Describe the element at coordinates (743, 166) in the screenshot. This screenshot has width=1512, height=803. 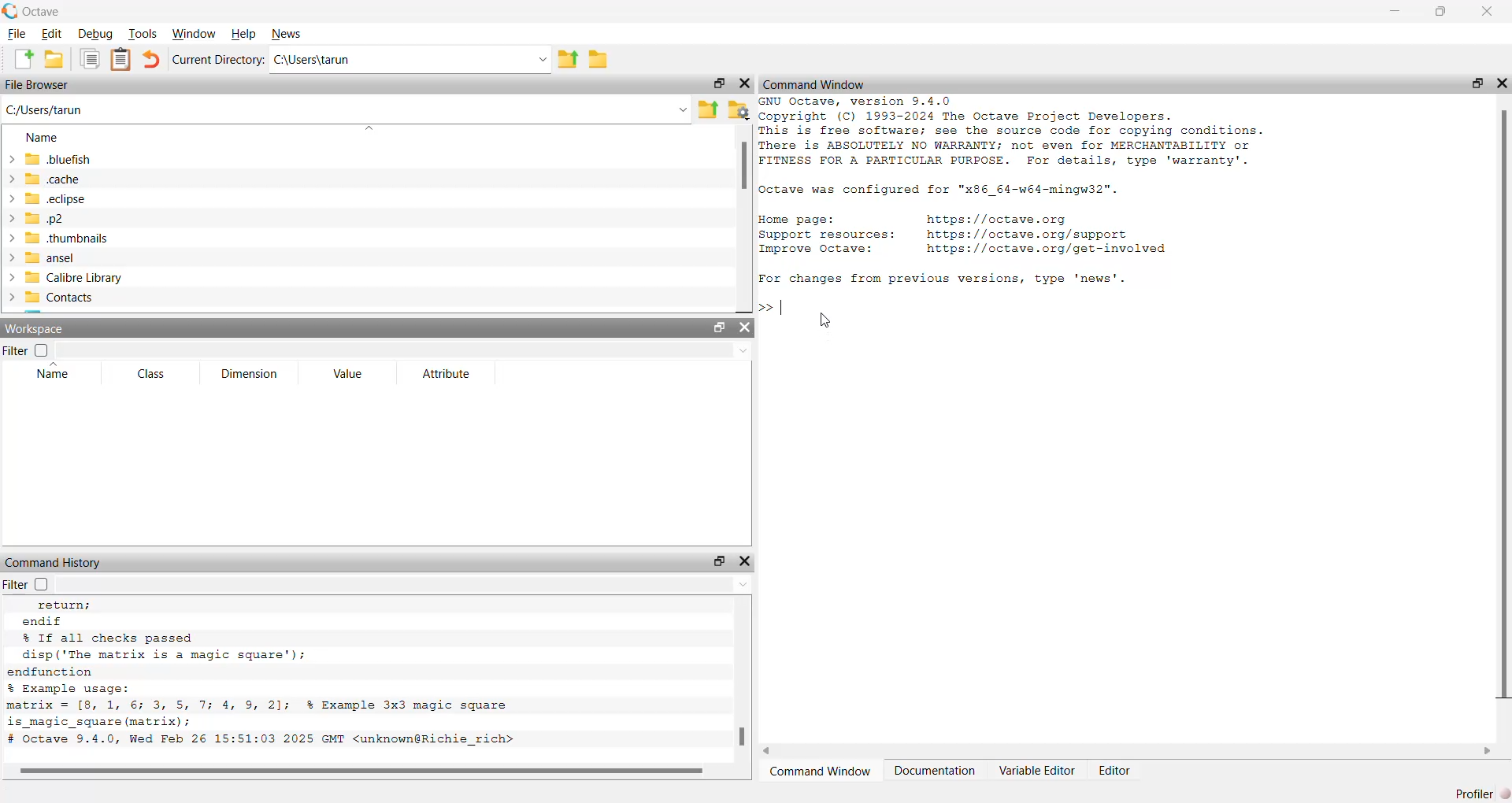
I see `Scroll bar` at that location.